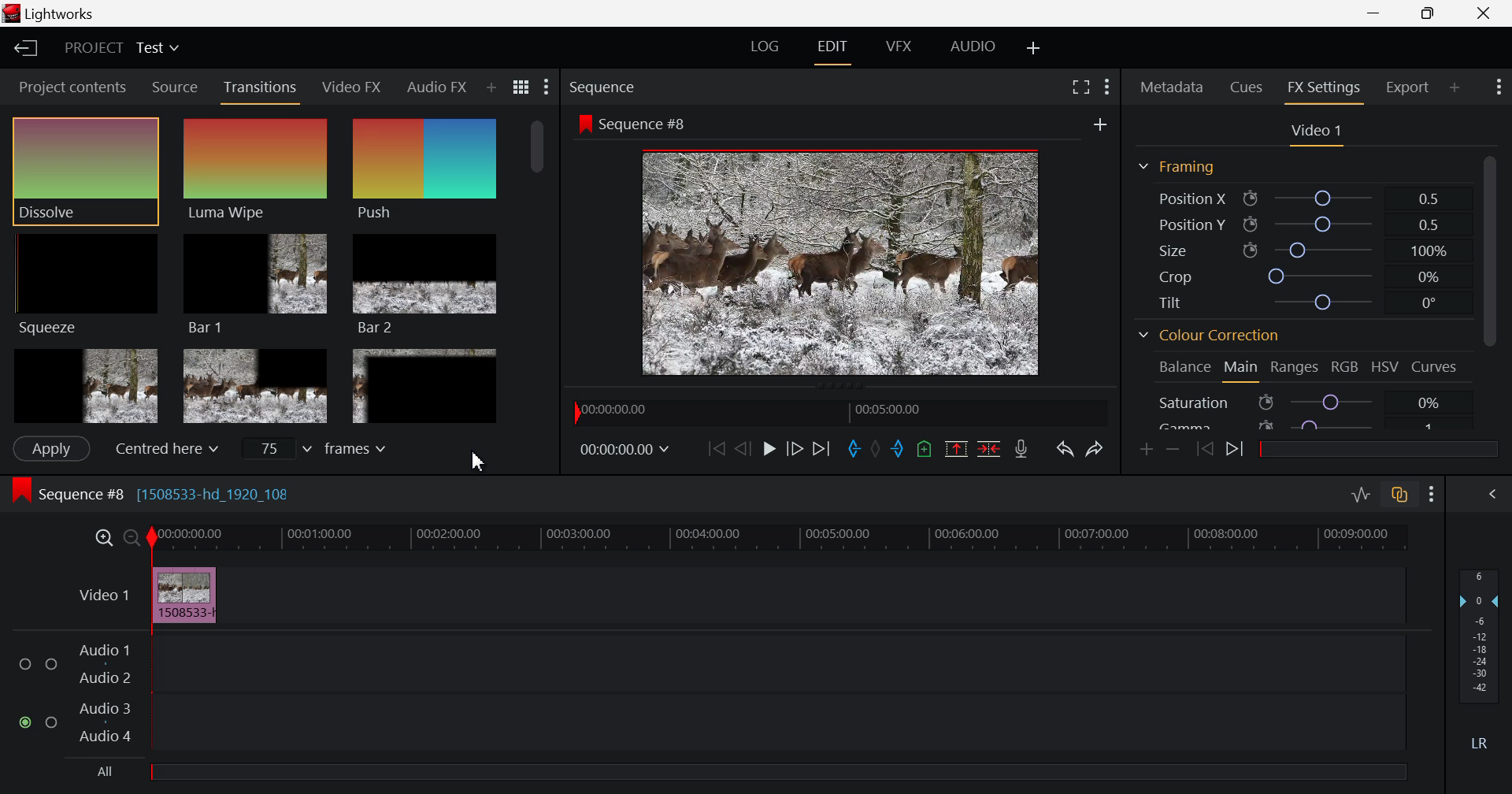 The width and height of the screenshot is (1512, 794). Describe the element at coordinates (899, 49) in the screenshot. I see `VFX Layout` at that location.